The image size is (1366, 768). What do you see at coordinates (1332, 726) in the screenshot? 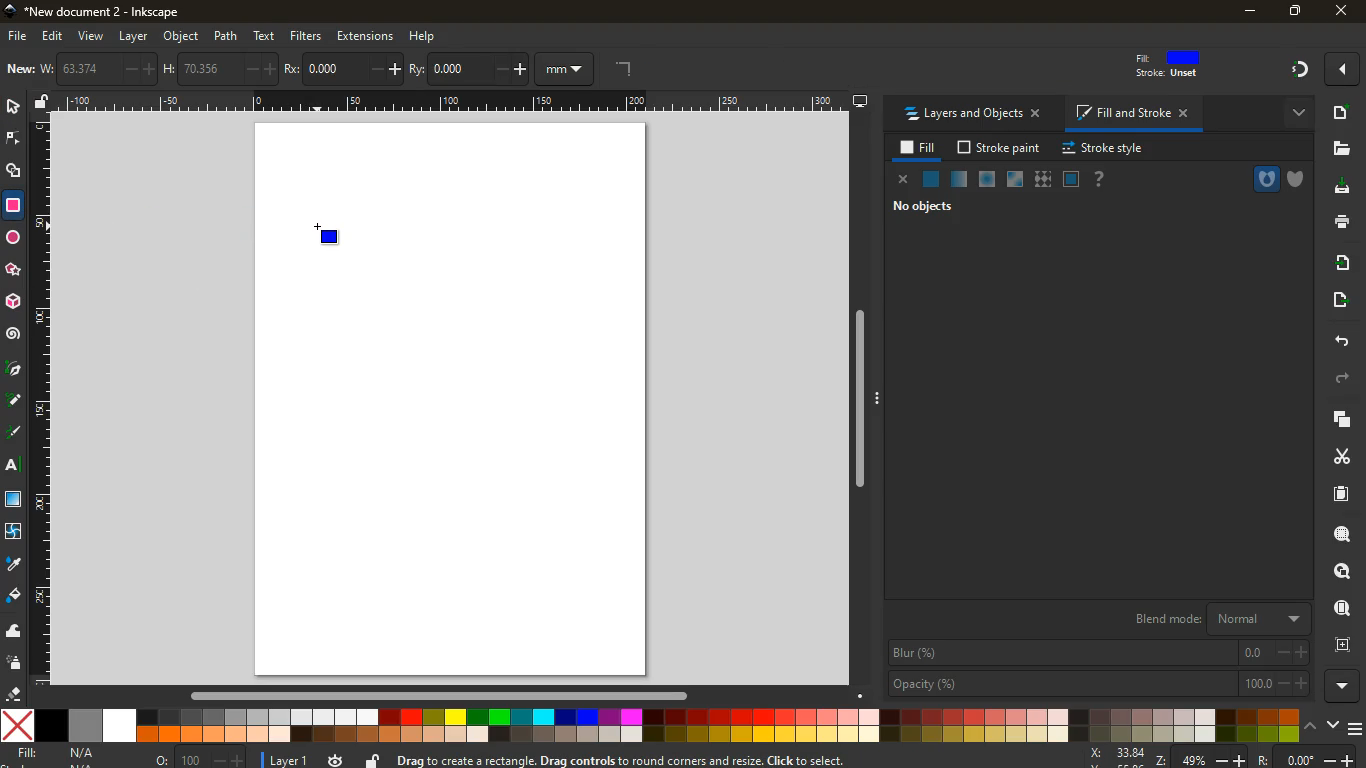
I see `down` at bounding box center [1332, 726].